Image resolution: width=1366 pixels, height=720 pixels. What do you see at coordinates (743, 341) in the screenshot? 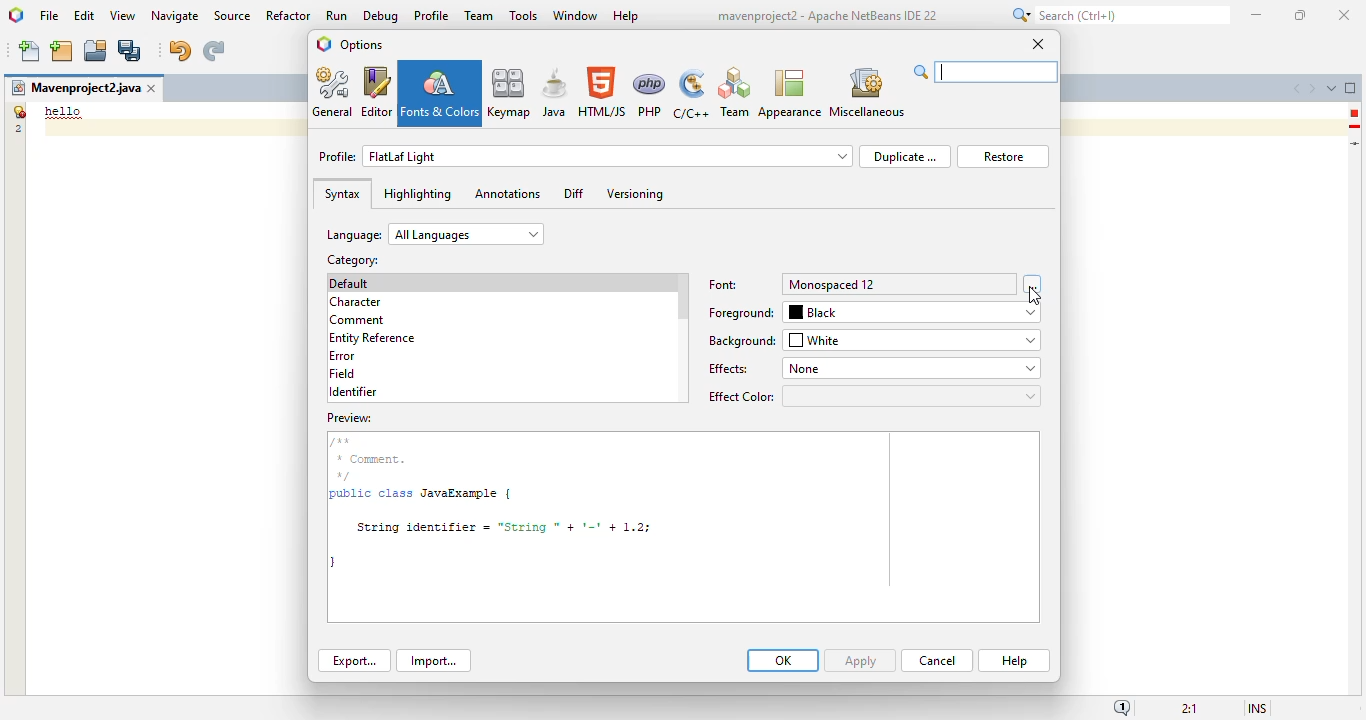
I see `background: ` at bounding box center [743, 341].